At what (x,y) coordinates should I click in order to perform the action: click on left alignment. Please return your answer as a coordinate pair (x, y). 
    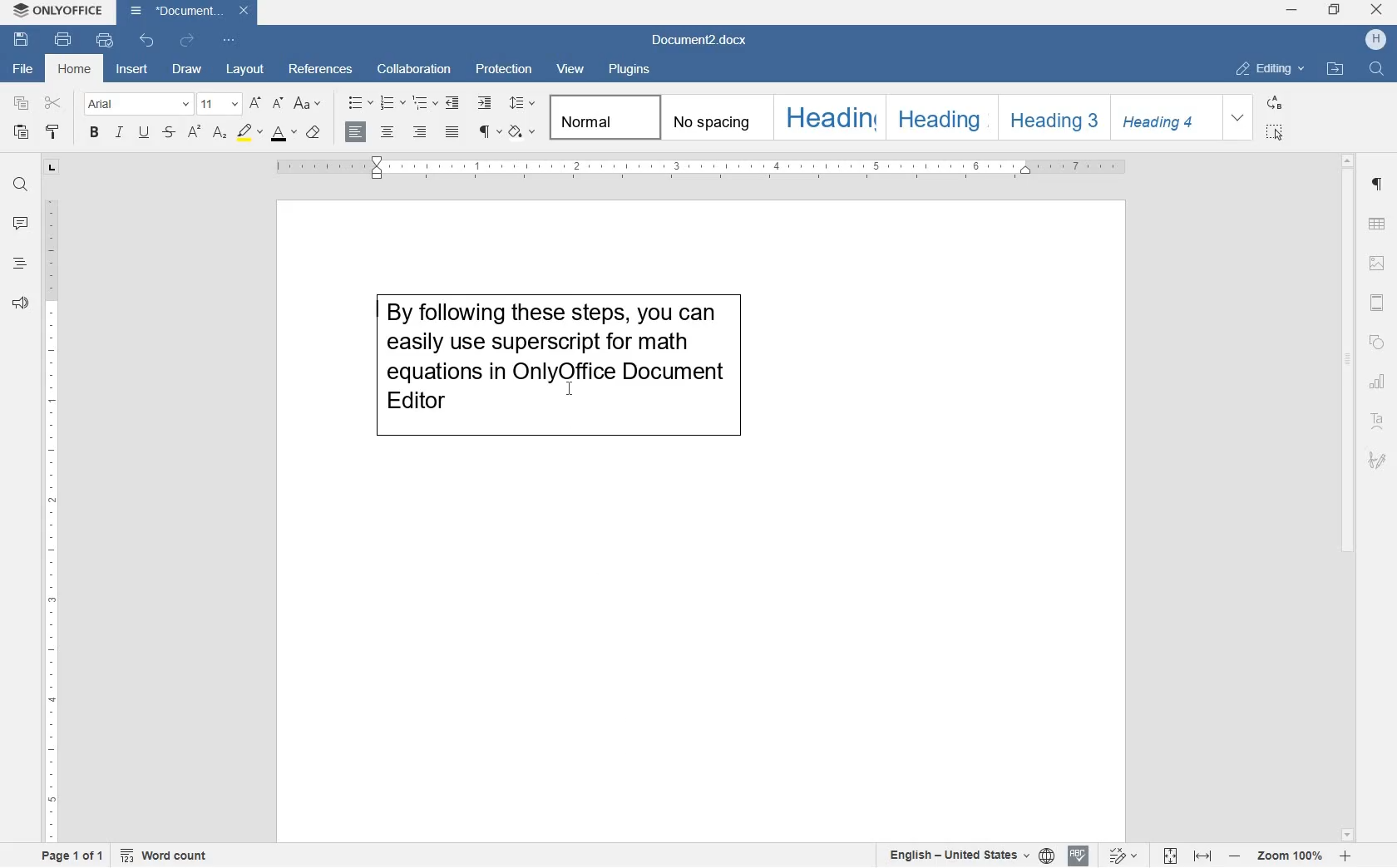
    Looking at the image, I should click on (353, 133).